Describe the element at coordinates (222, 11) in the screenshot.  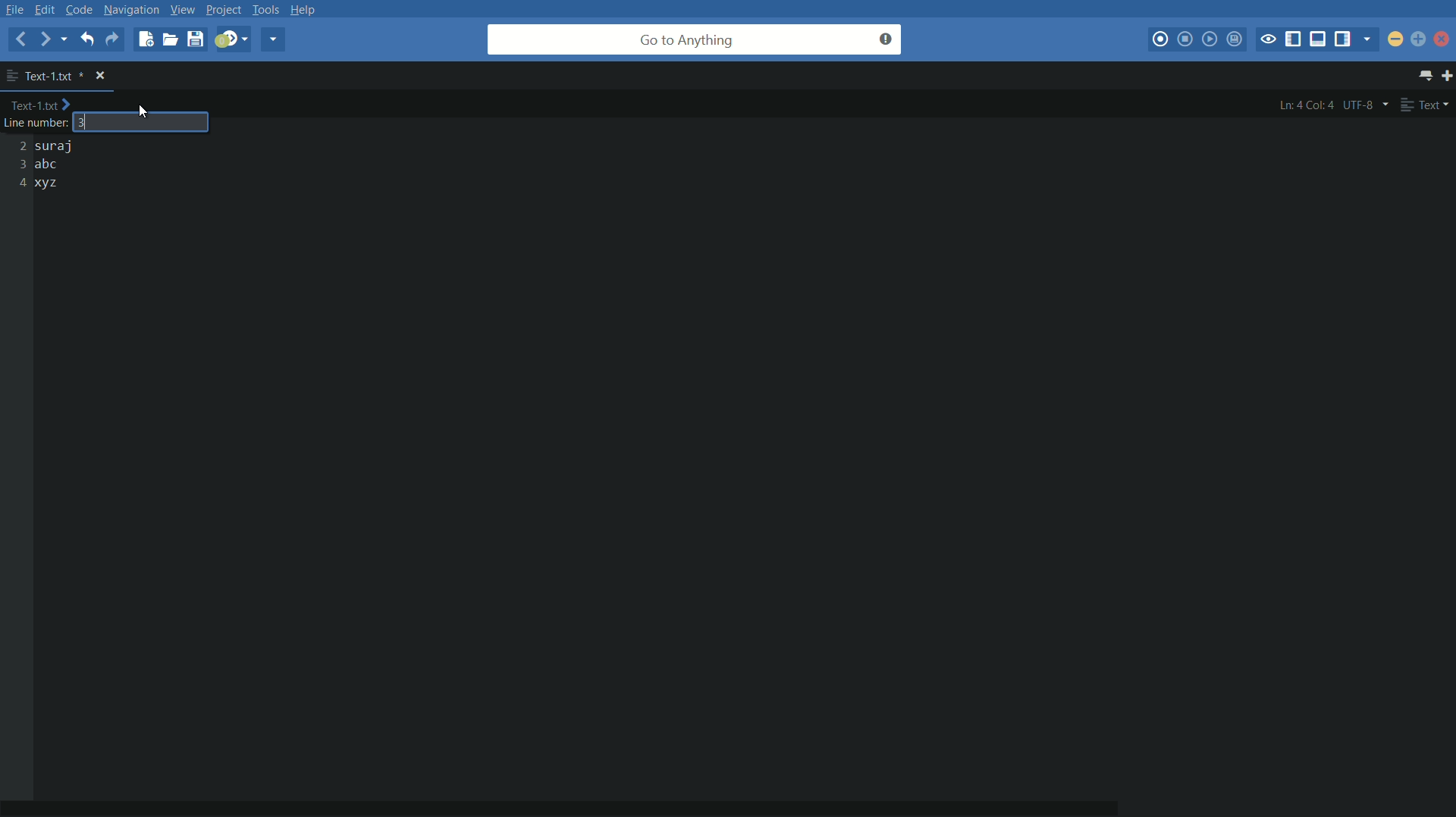
I see `project ` at that location.